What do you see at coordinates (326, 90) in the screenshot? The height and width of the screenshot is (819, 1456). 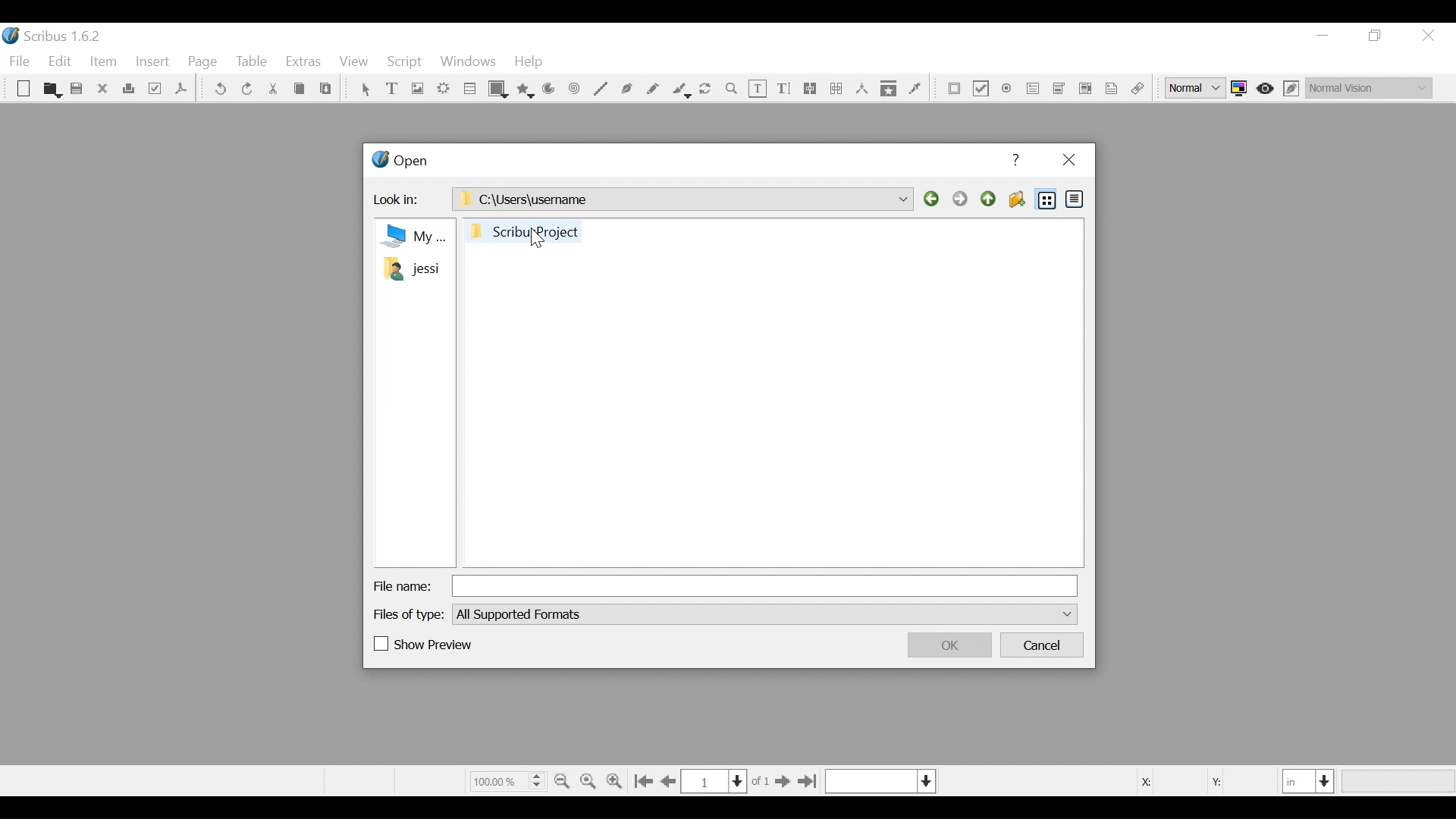 I see `Paste` at bounding box center [326, 90].